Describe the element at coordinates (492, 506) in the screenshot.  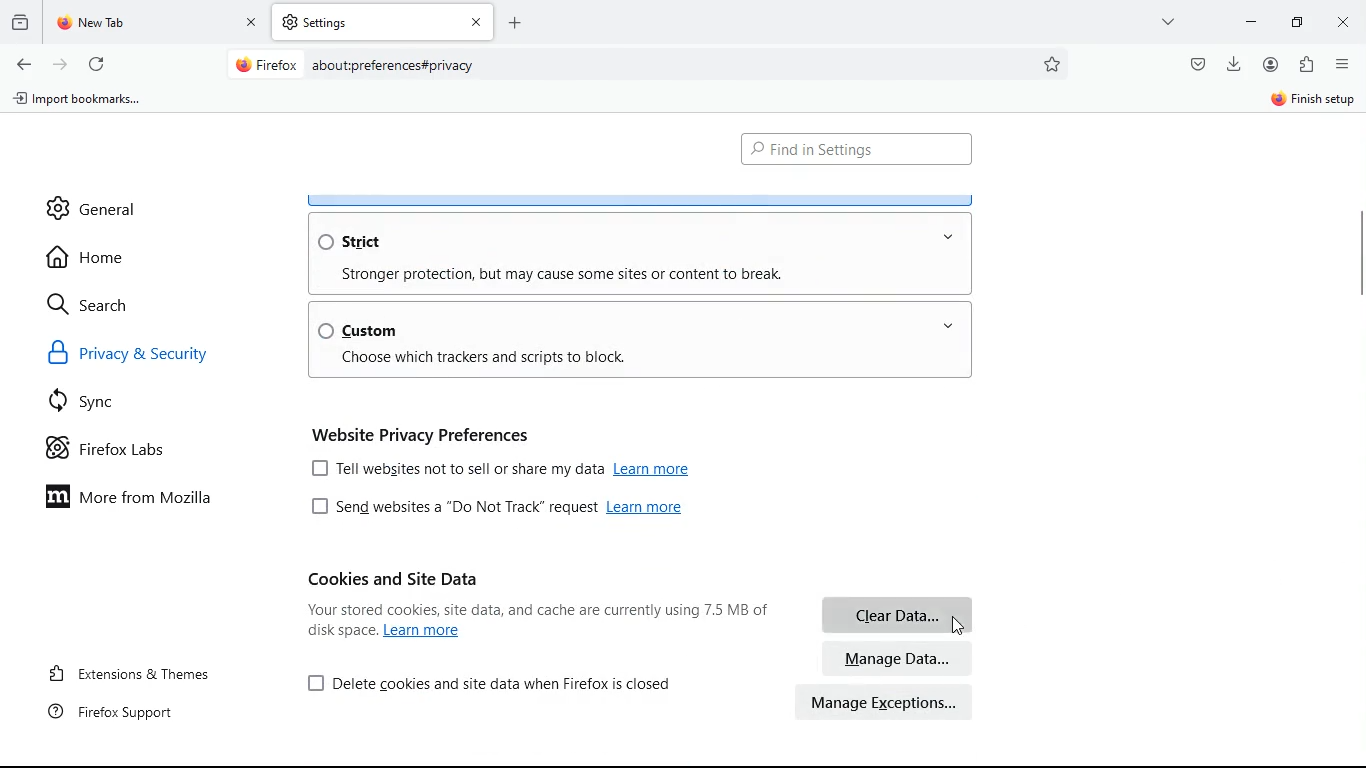
I see `[J Send websites a “Do Not Track” request Learn more.` at that location.